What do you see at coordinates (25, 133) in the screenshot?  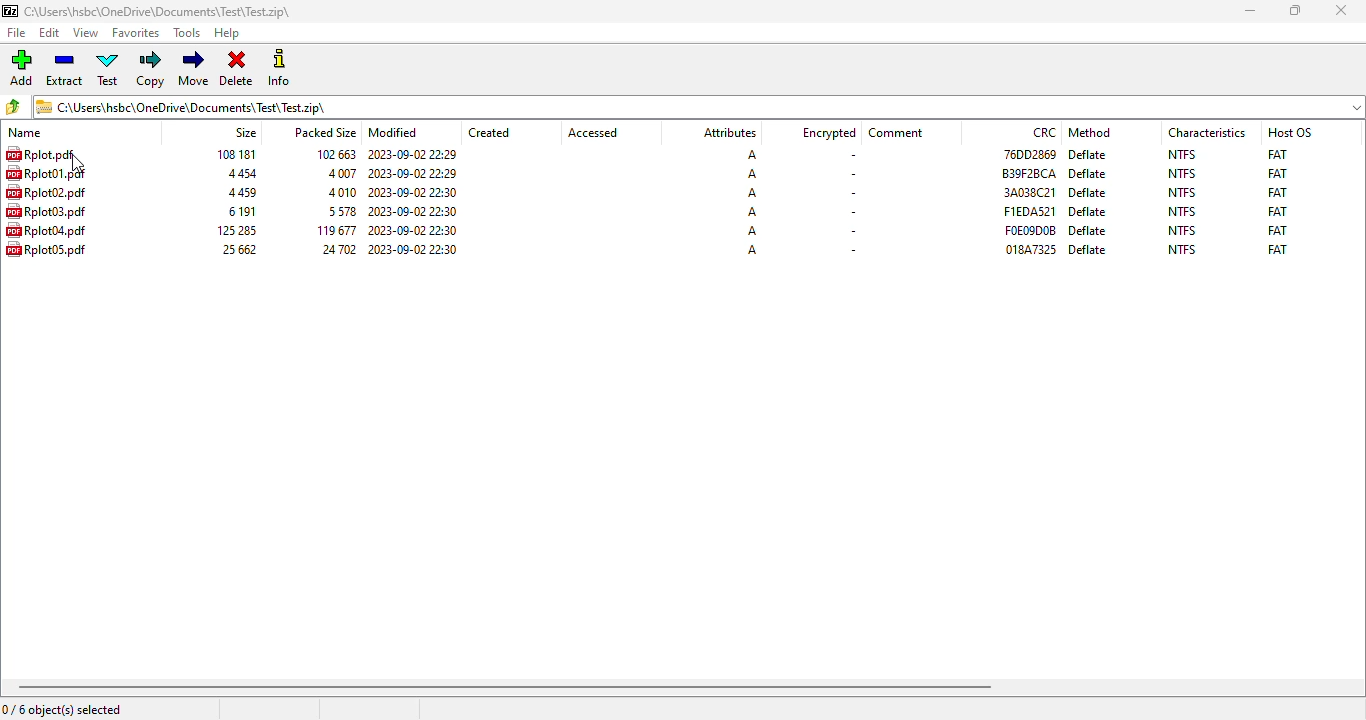 I see `name` at bounding box center [25, 133].